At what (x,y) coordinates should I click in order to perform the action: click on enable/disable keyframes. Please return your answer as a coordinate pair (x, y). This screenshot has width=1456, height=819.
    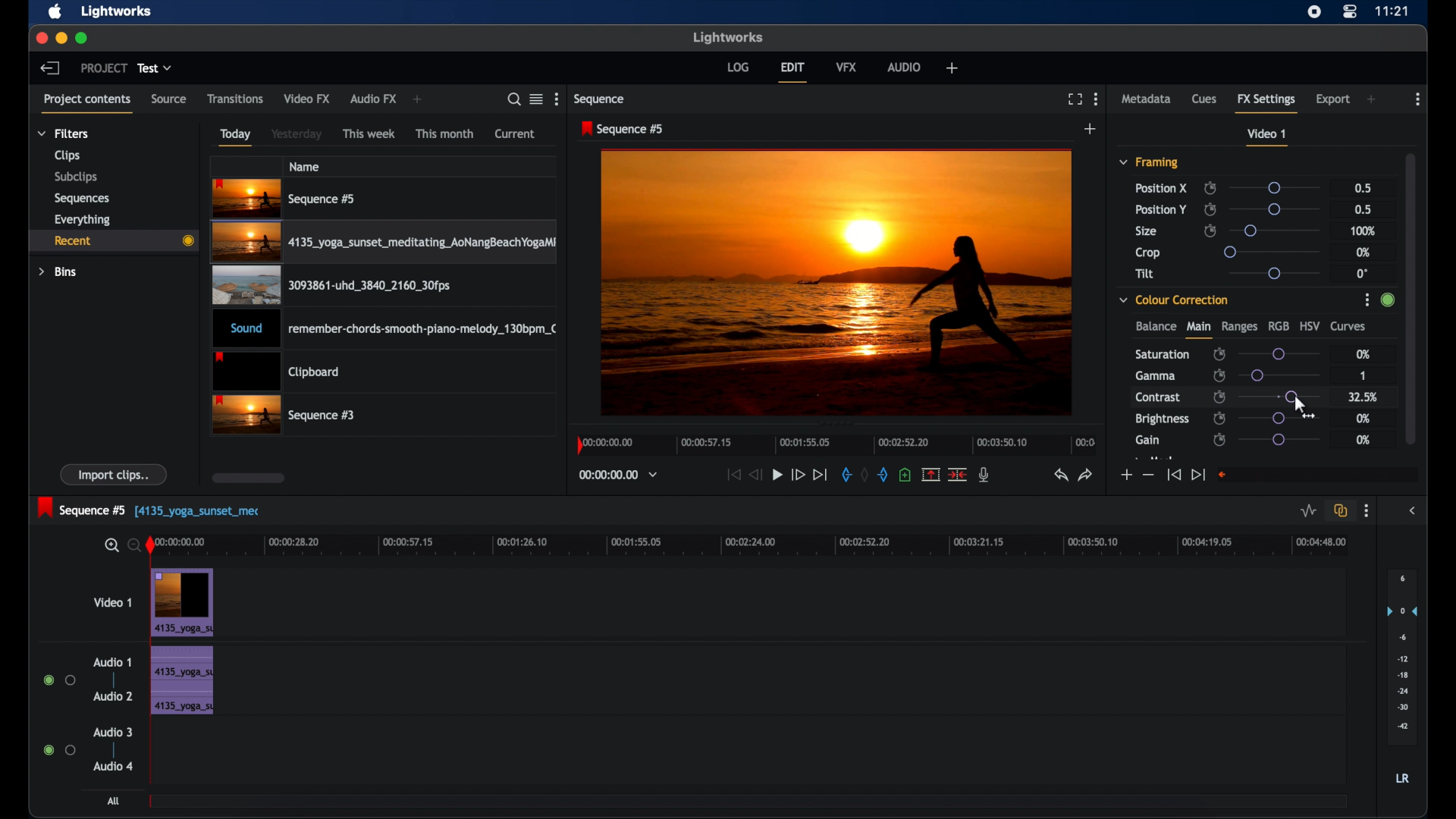
    Looking at the image, I should click on (1219, 418).